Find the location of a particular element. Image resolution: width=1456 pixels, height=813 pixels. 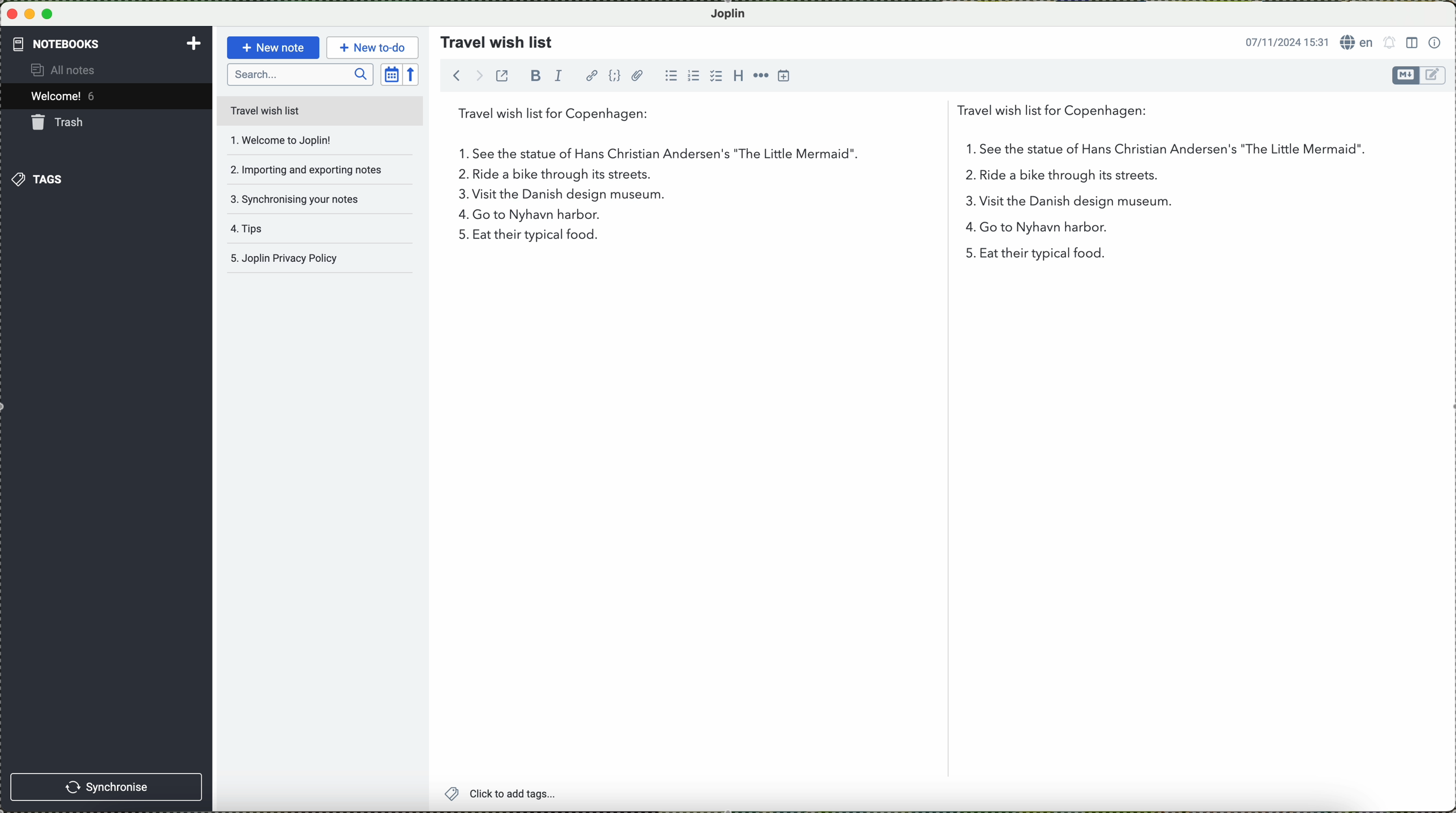

welcome to joplin is located at coordinates (302, 141).